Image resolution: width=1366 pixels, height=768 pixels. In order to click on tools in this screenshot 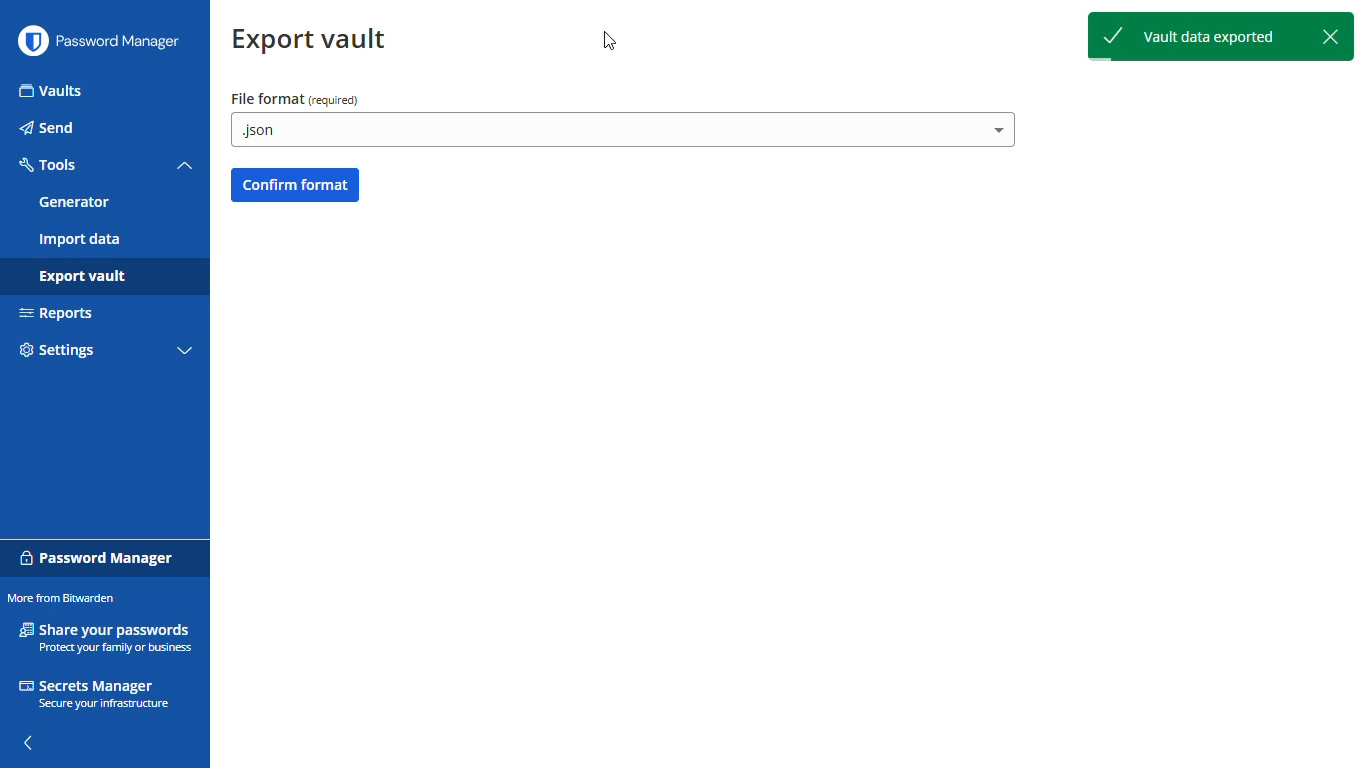, I will do `click(50, 165)`.